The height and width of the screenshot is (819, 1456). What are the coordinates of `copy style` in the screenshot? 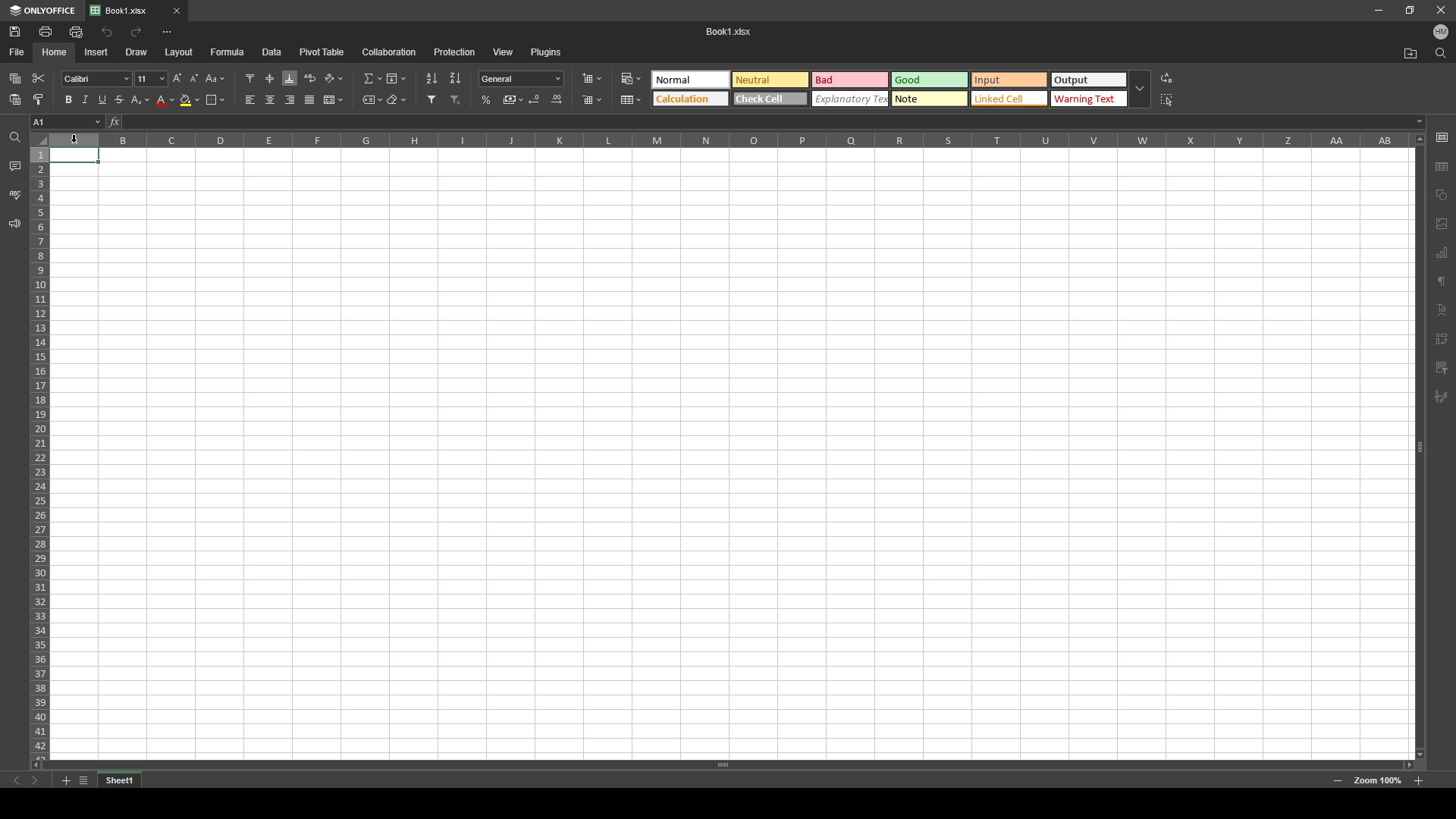 It's located at (38, 99).